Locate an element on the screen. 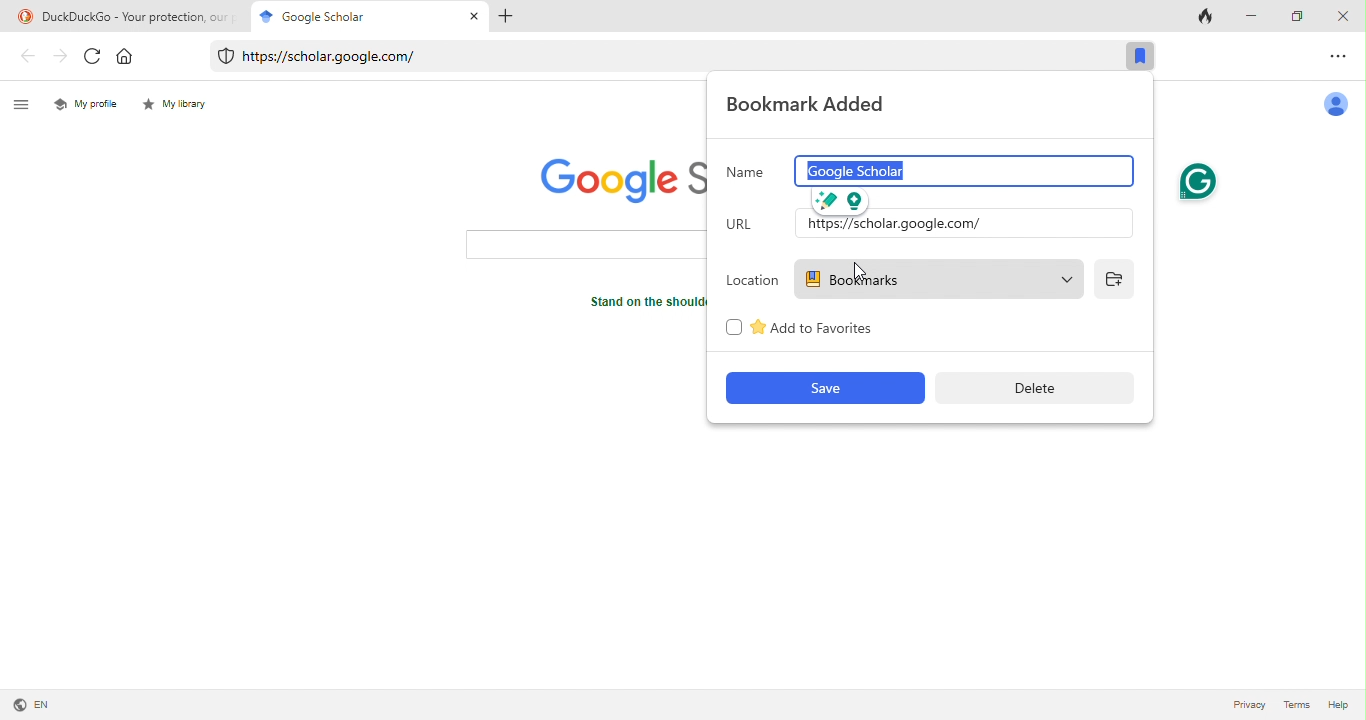  add tab is located at coordinates (508, 18).